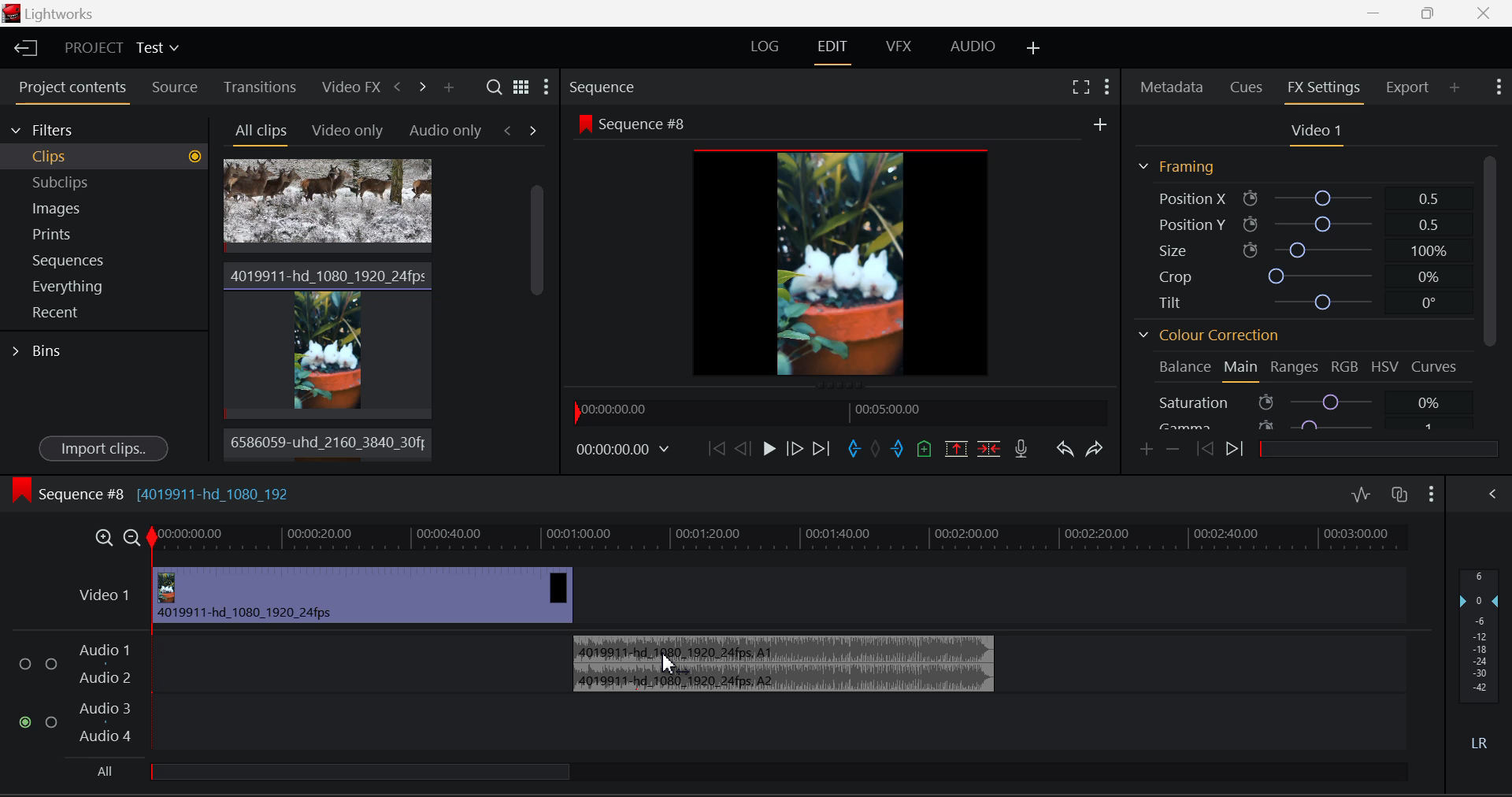 This screenshot has height=797, width=1512. Describe the element at coordinates (1378, 13) in the screenshot. I see `Restore Down` at that location.